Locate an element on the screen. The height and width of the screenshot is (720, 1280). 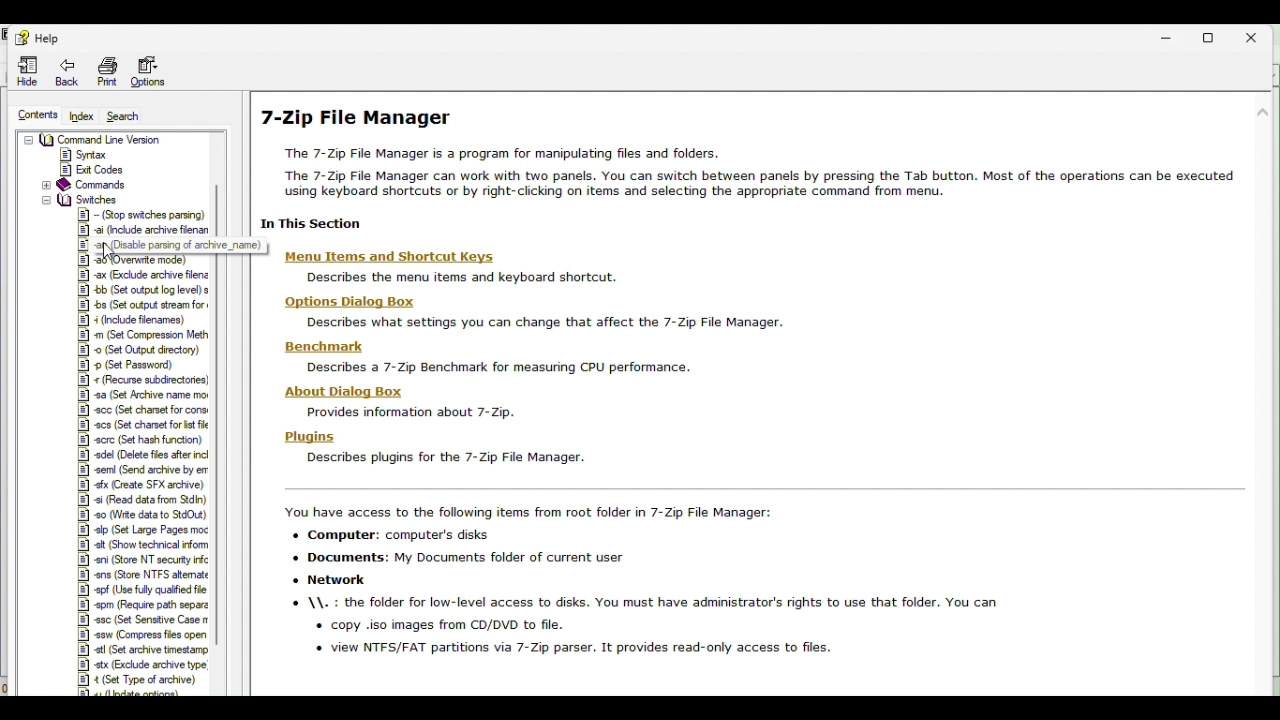
|#] secre (Set hash function) is located at coordinates (142, 440).